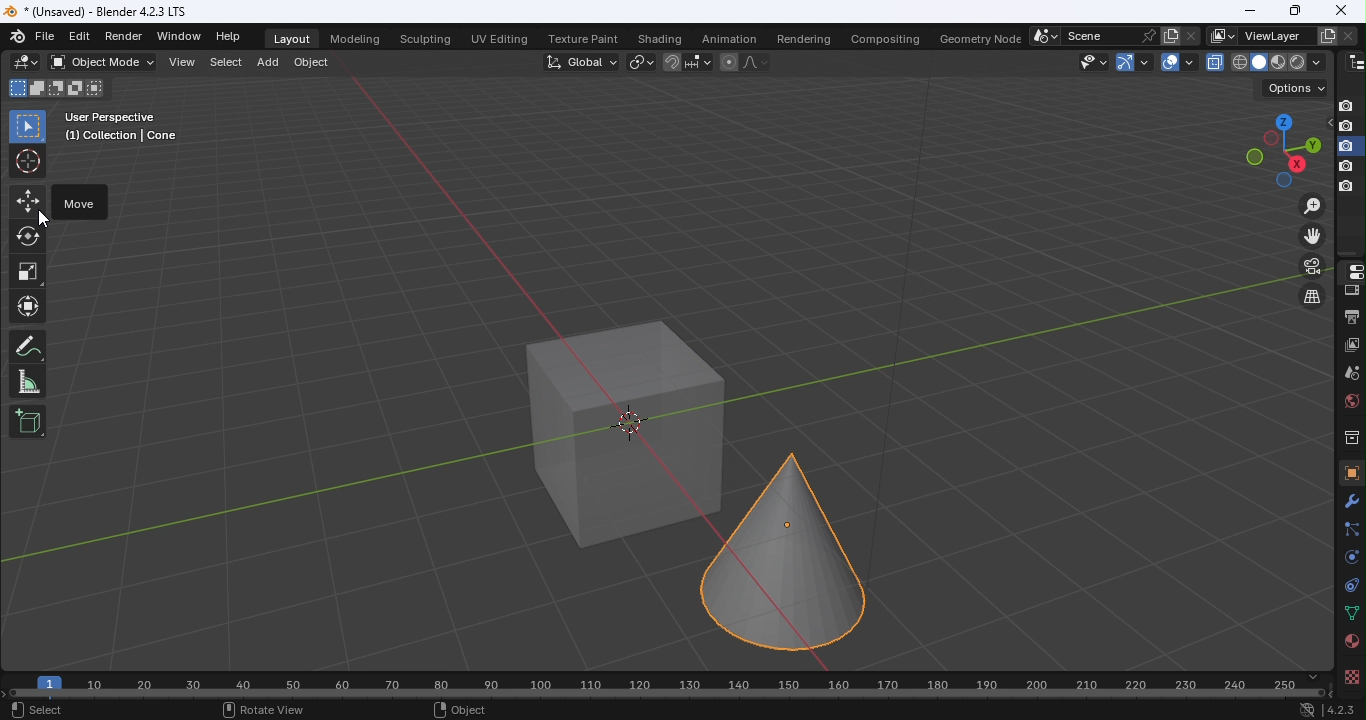 This screenshot has height=720, width=1366. I want to click on Compositing, so click(882, 35).